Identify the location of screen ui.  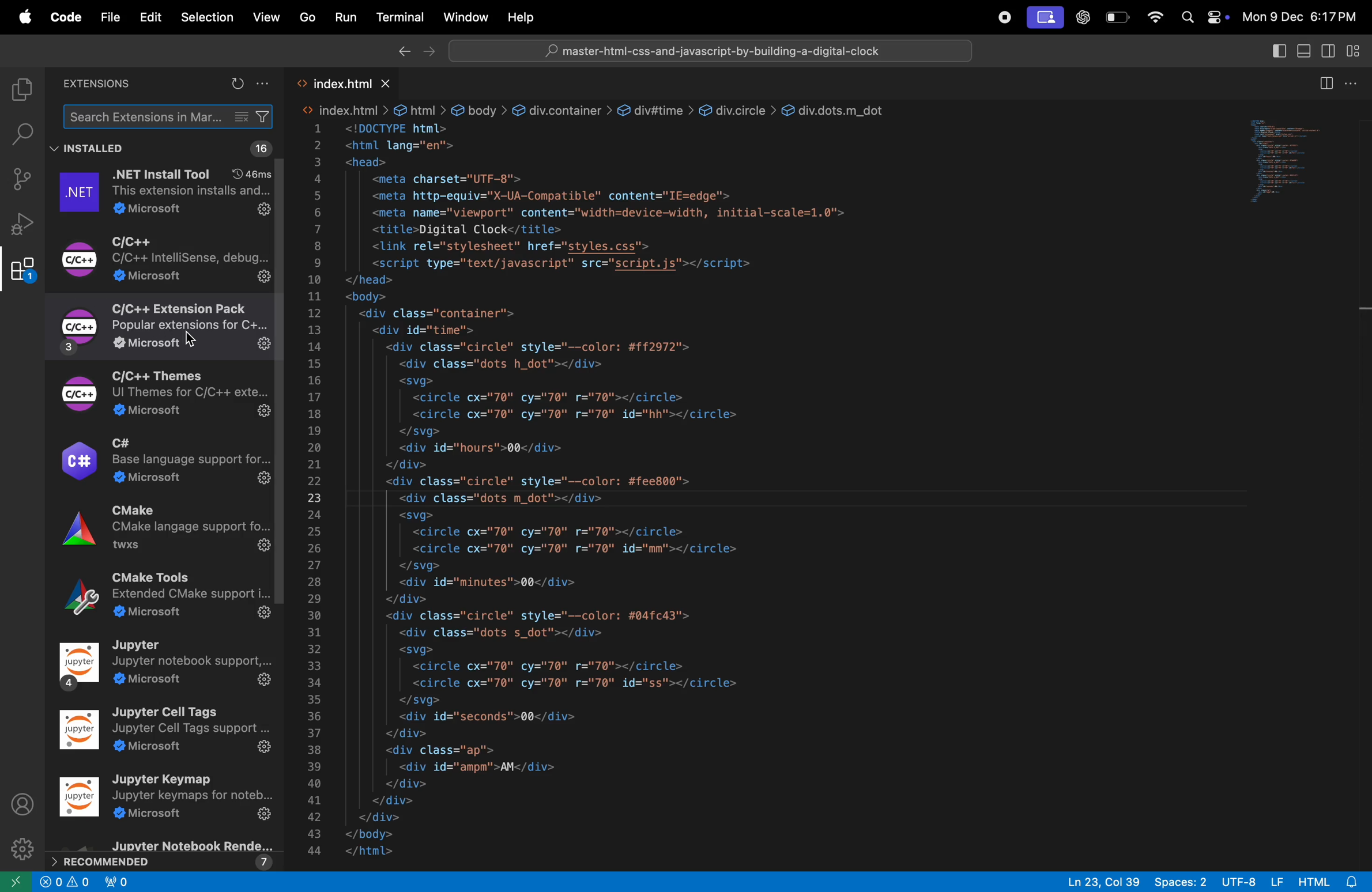
(1045, 18).